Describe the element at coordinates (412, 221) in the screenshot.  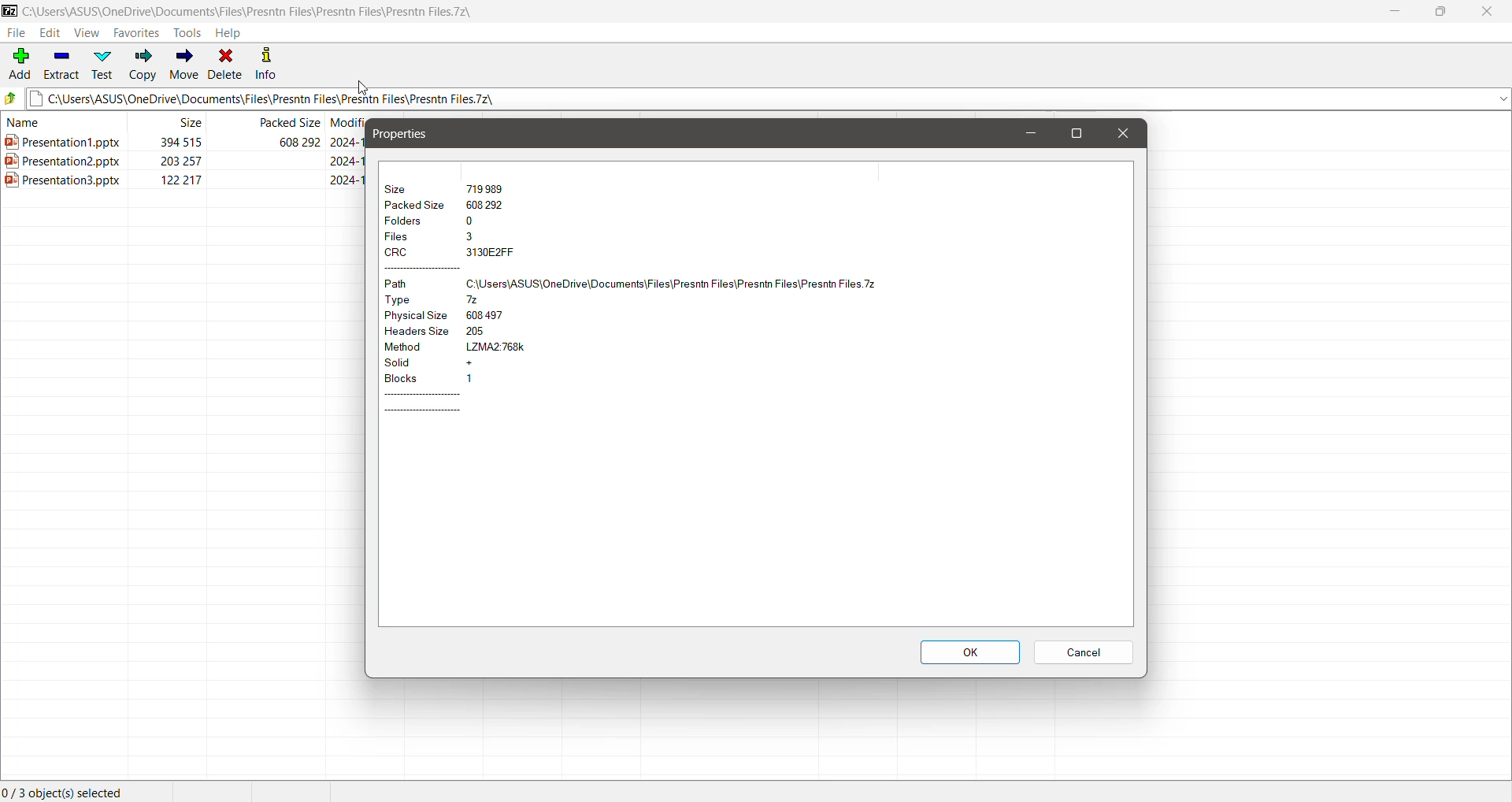
I see `Folders` at that location.